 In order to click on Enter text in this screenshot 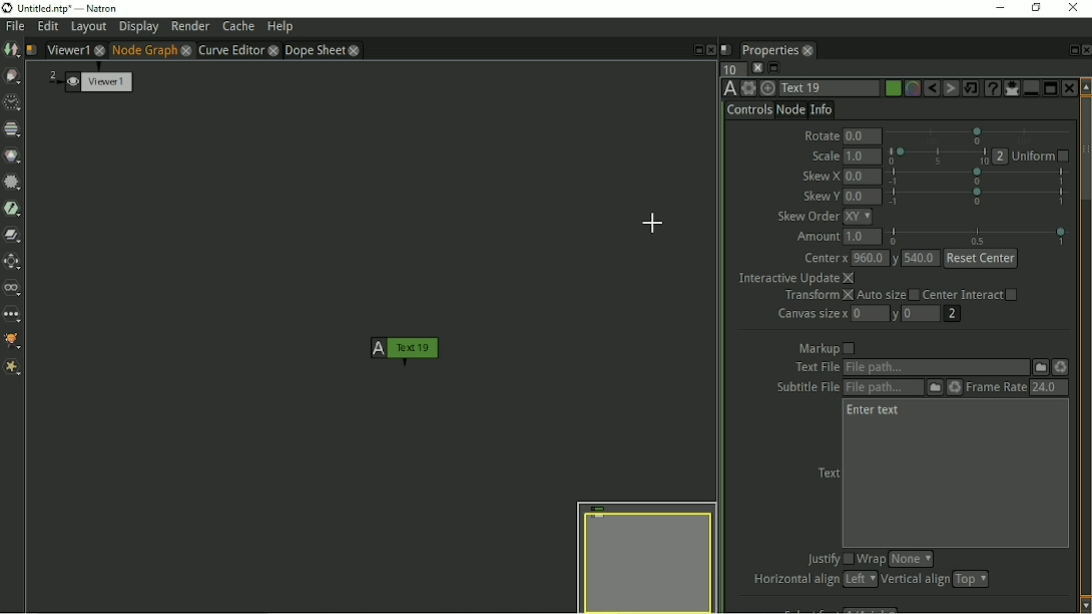, I will do `click(875, 410)`.